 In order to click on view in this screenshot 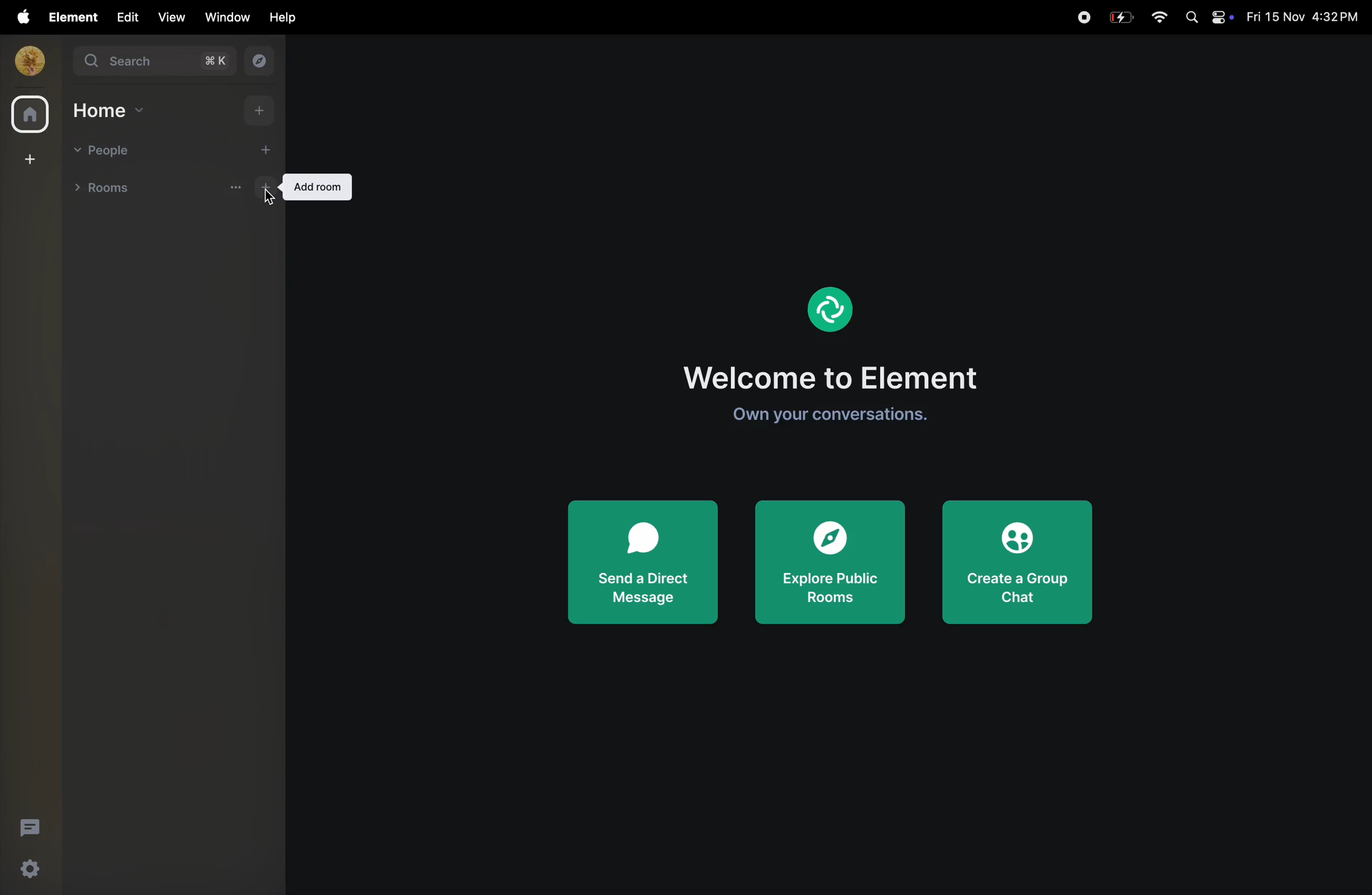, I will do `click(171, 17)`.